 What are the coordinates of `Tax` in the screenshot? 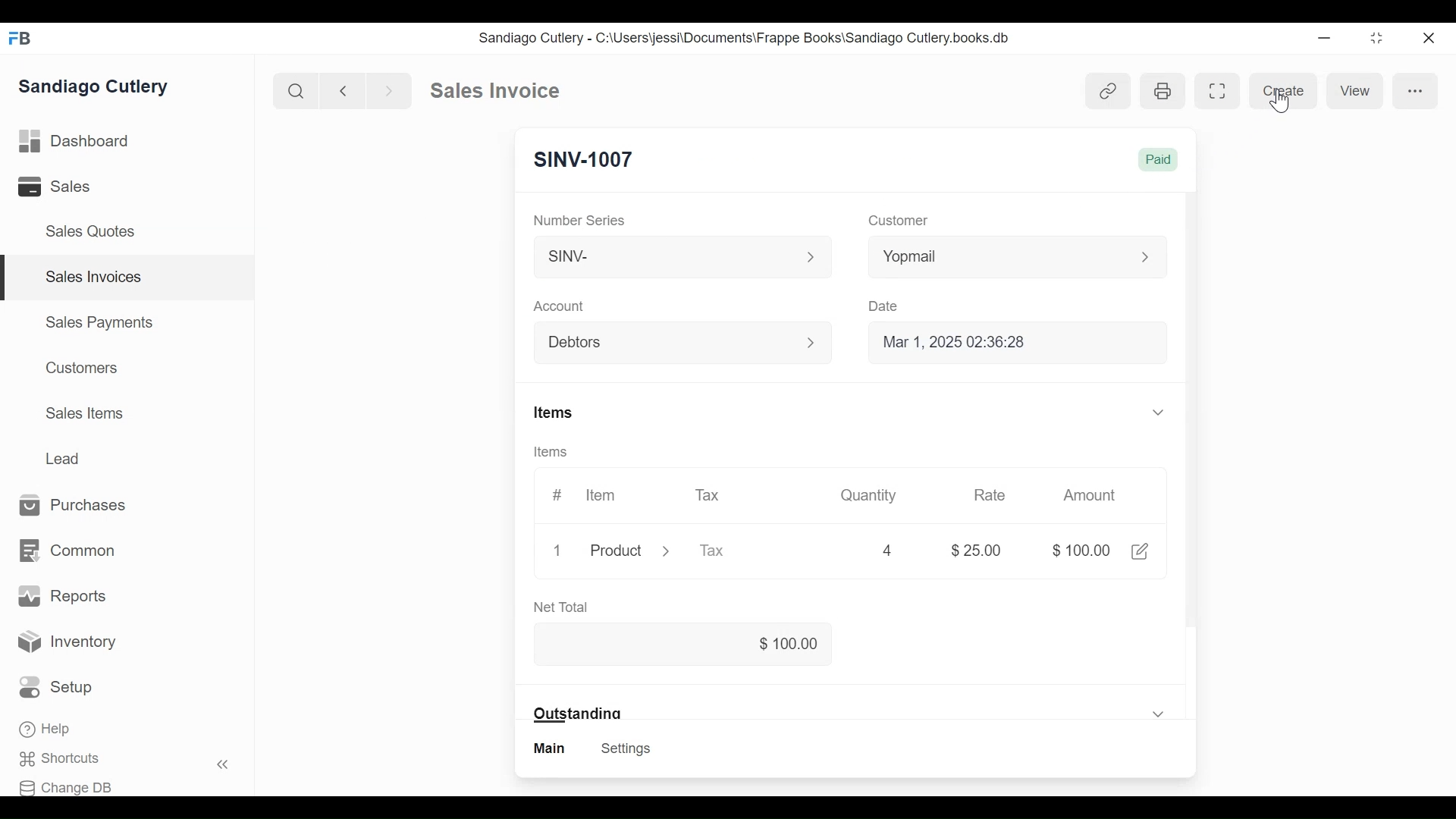 It's located at (709, 495).